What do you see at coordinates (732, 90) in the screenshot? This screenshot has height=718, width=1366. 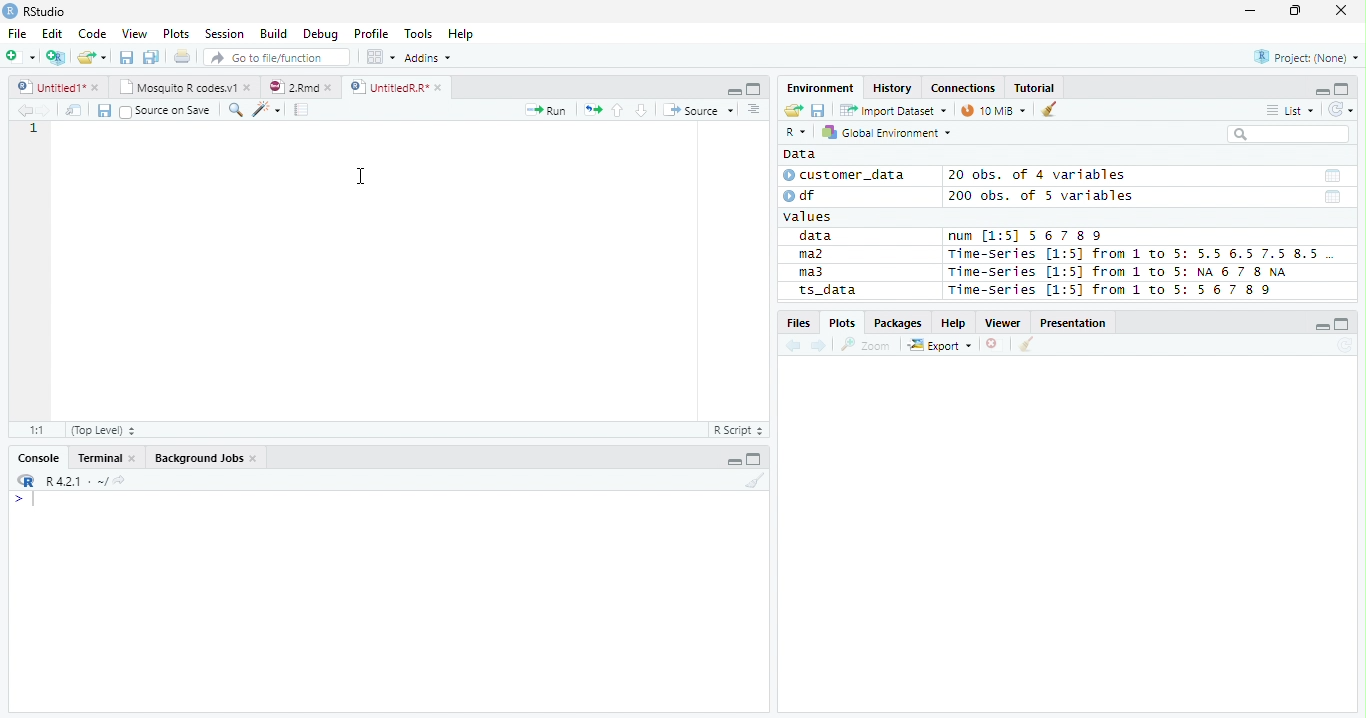 I see `Minimize` at bounding box center [732, 90].